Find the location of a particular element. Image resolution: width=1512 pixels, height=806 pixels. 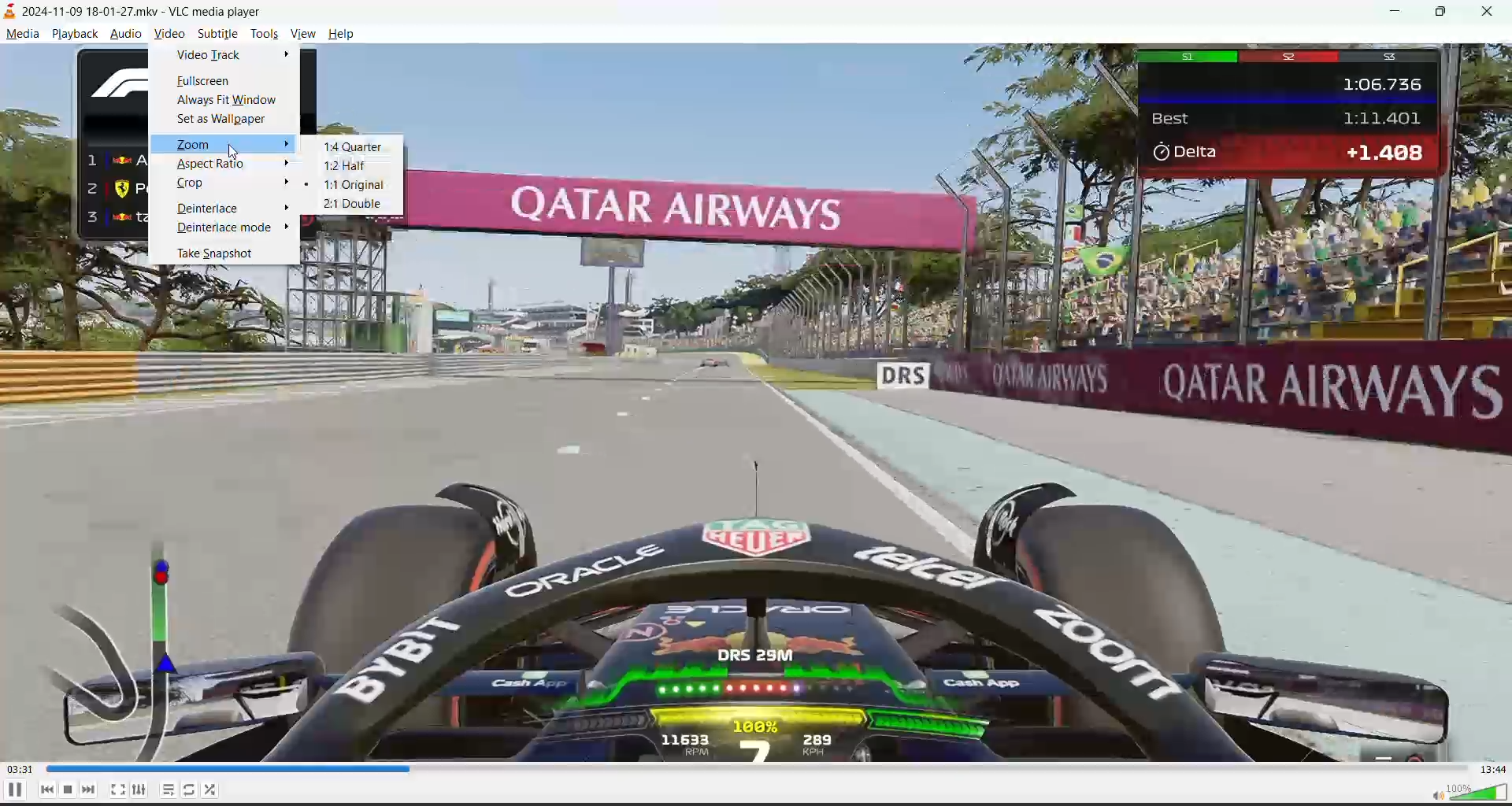

video track is located at coordinates (213, 59).